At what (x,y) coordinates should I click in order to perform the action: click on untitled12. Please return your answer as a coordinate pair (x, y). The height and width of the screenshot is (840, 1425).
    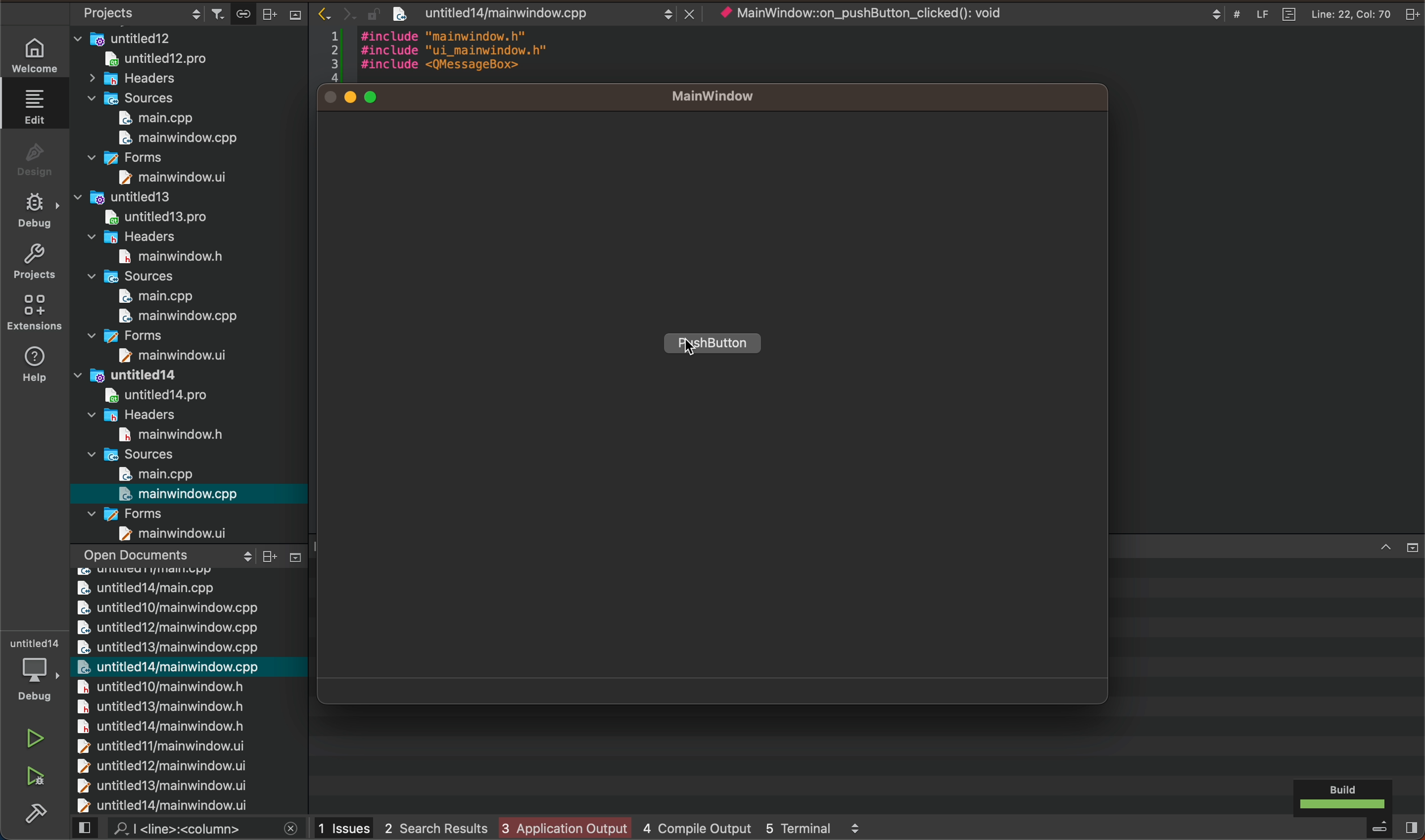
    Looking at the image, I should click on (190, 36).